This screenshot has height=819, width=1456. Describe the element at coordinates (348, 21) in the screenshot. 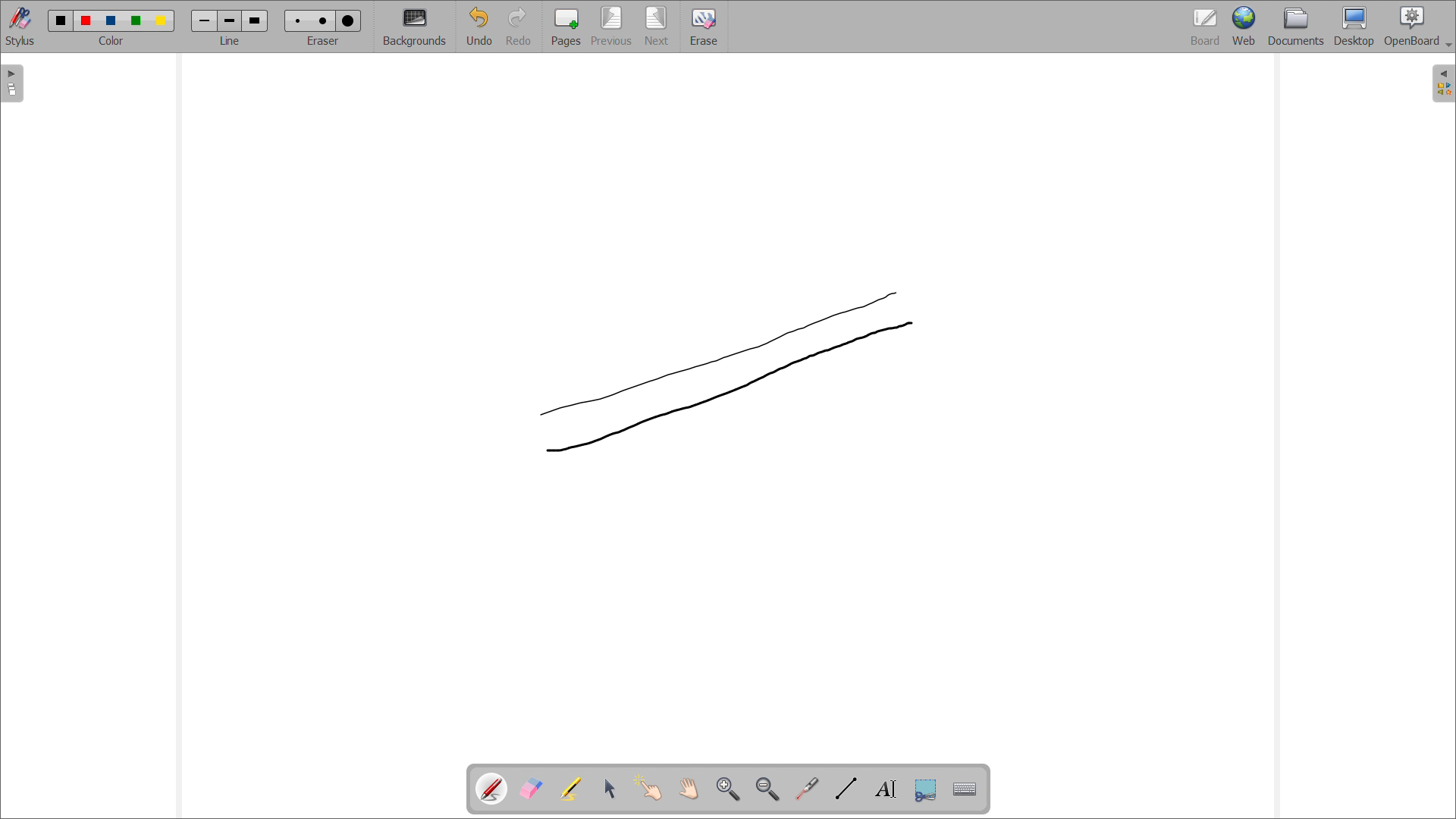

I see `Eraser size` at that location.